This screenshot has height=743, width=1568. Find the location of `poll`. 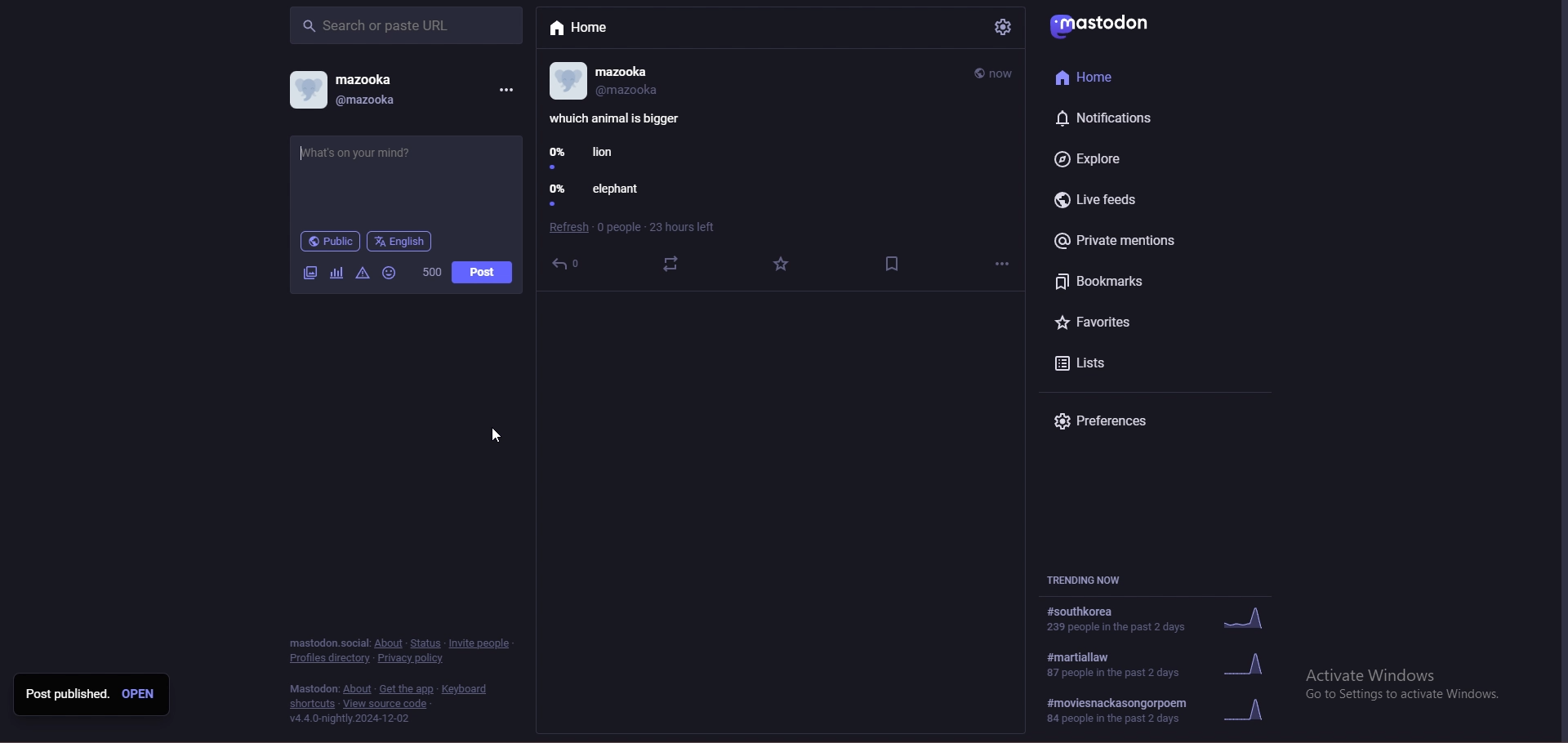

poll is located at coordinates (633, 118).